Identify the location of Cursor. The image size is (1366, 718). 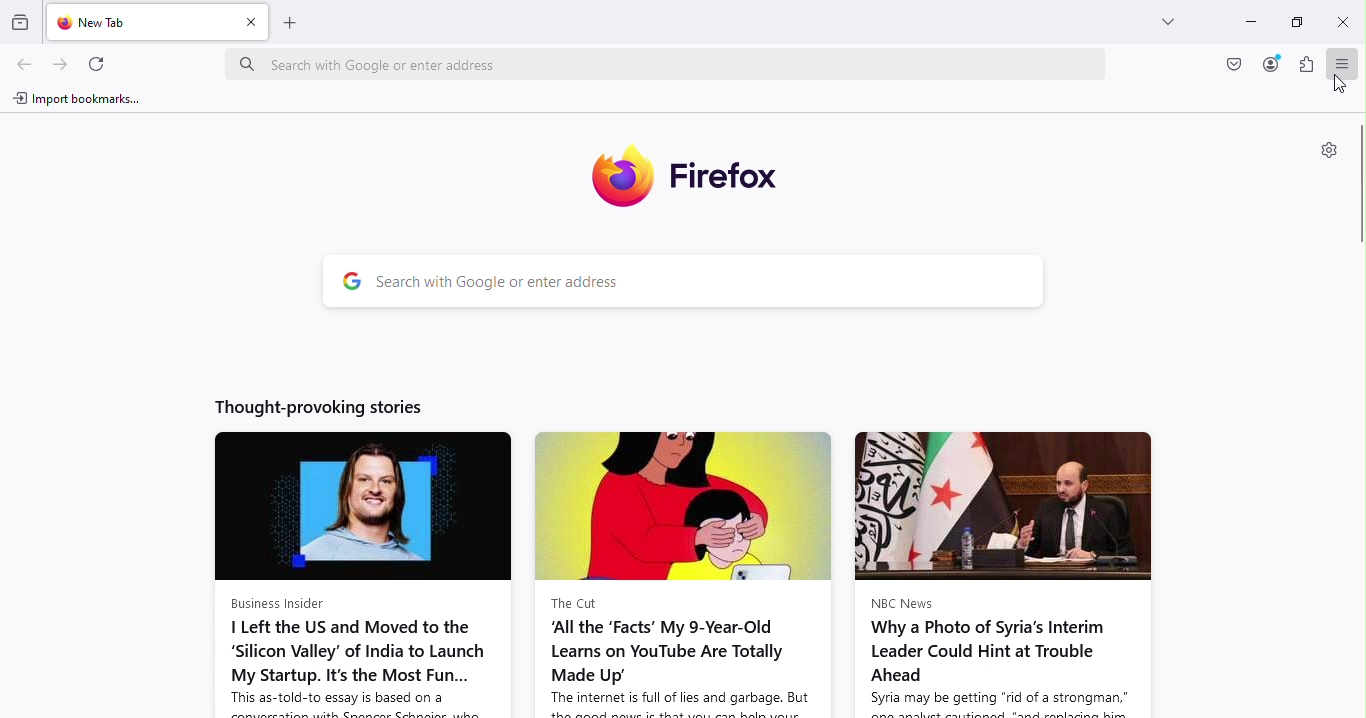
(1336, 87).